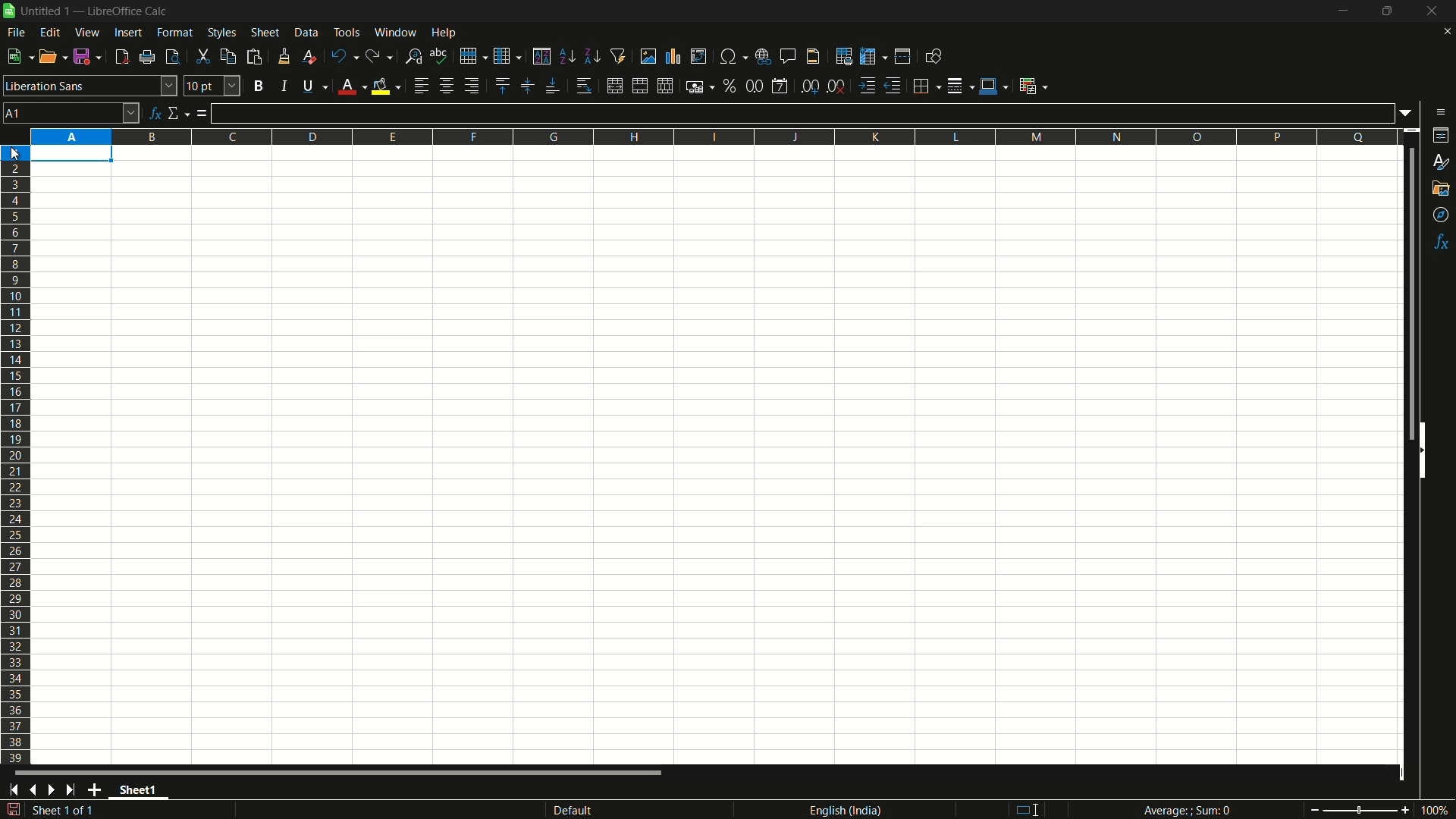 This screenshot has width=1456, height=819. What do you see at coordinates (780, 86) in the screenshot?
I see `format as date` at bounding box center [780, 86].